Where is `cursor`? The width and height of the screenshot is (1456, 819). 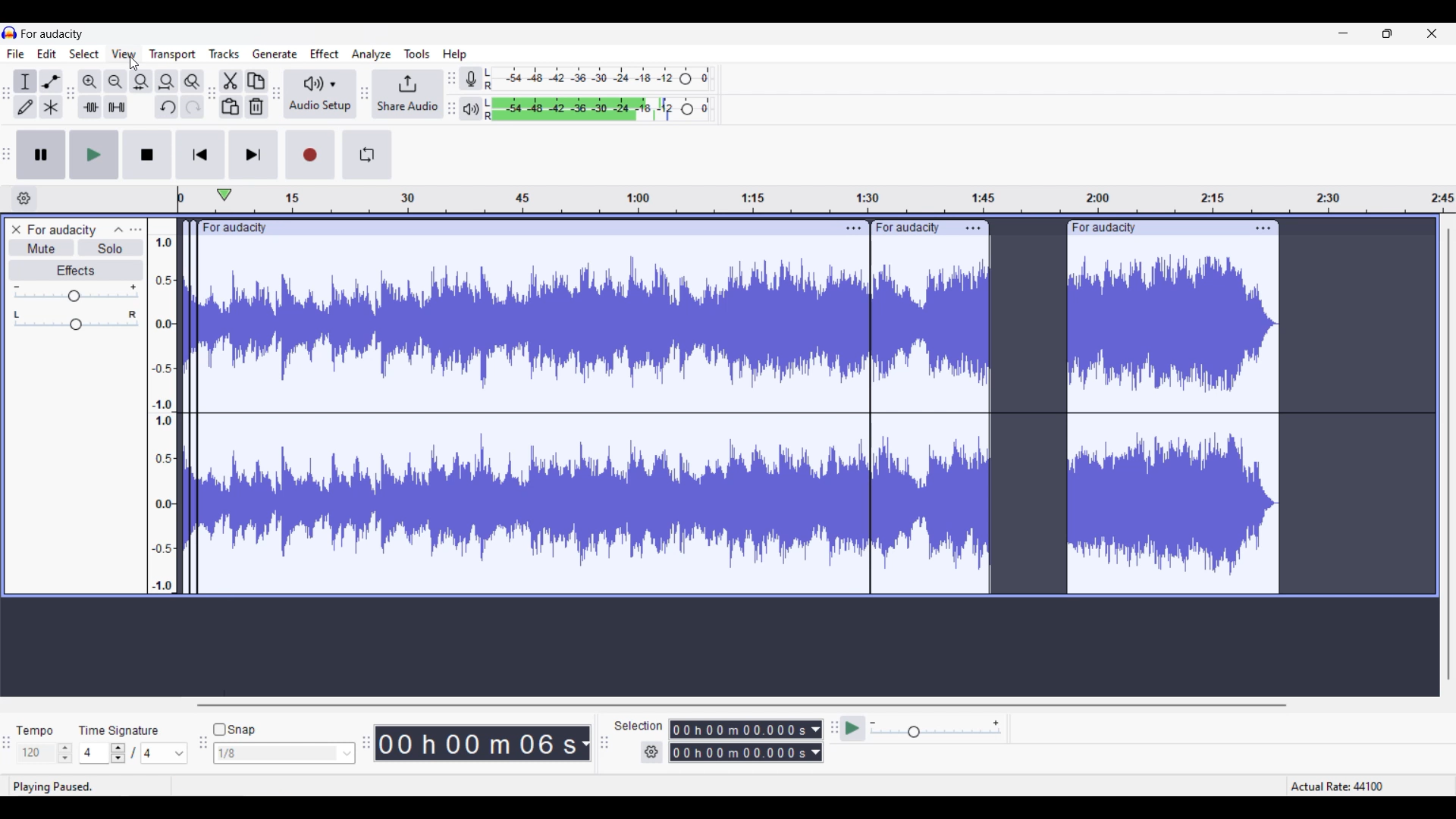
cursor is located at coordinates (134, 64).